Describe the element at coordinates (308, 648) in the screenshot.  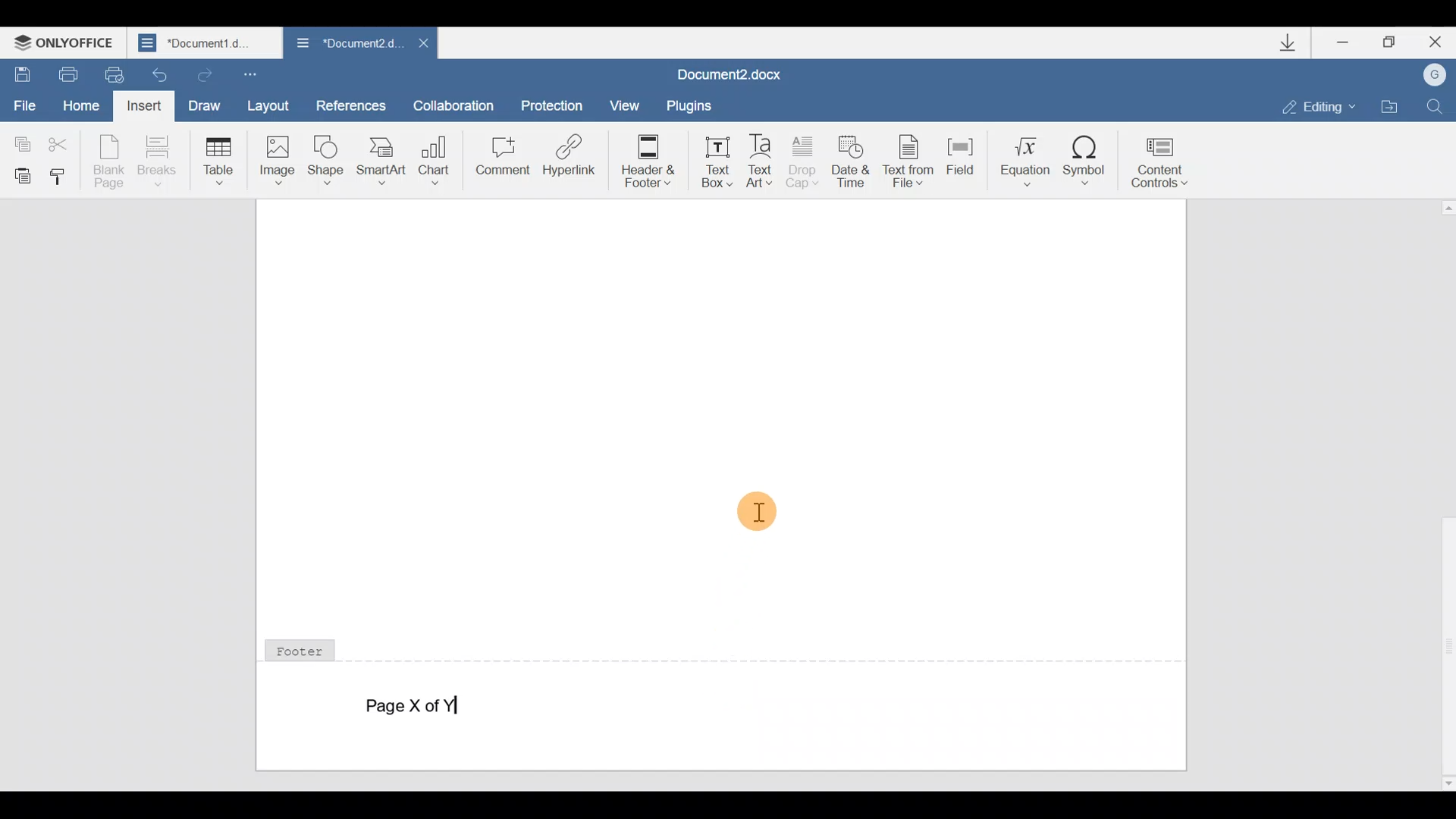
I see `Footer` at that location.